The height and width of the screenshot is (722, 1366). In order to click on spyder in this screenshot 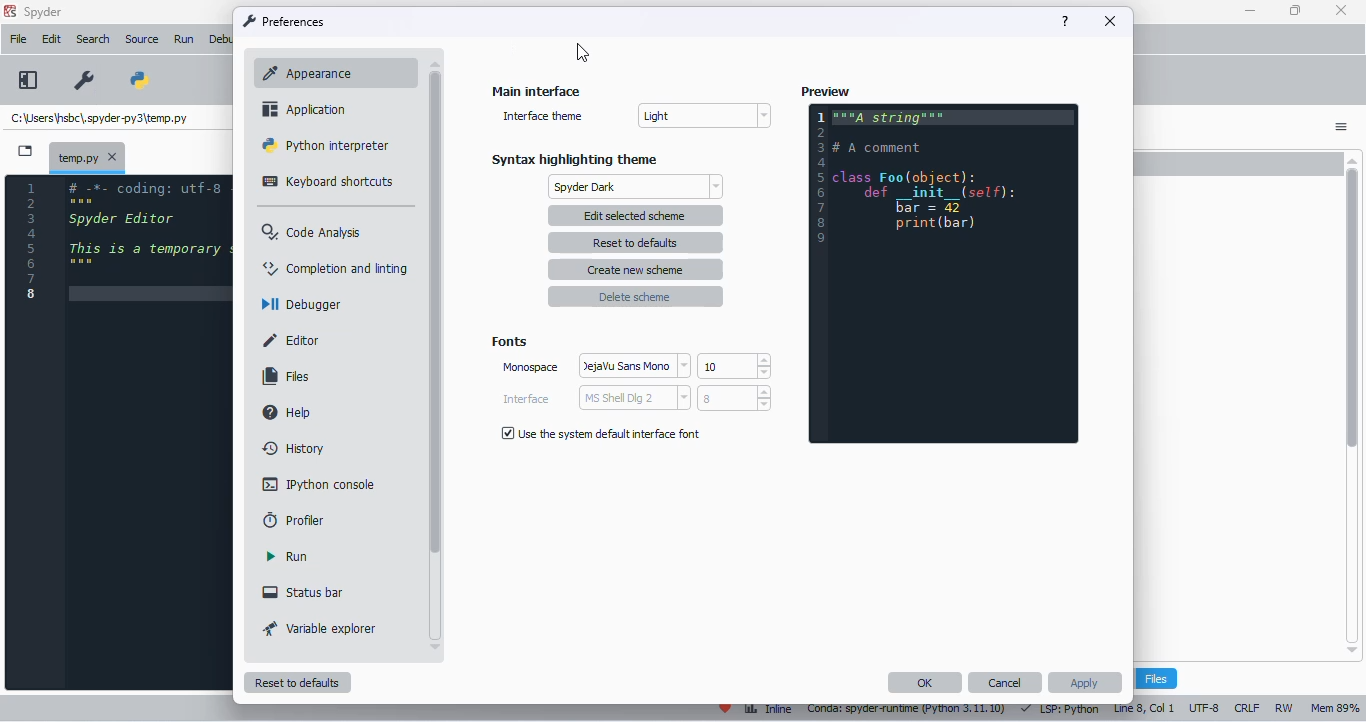, I will do `click(44, 12)`.